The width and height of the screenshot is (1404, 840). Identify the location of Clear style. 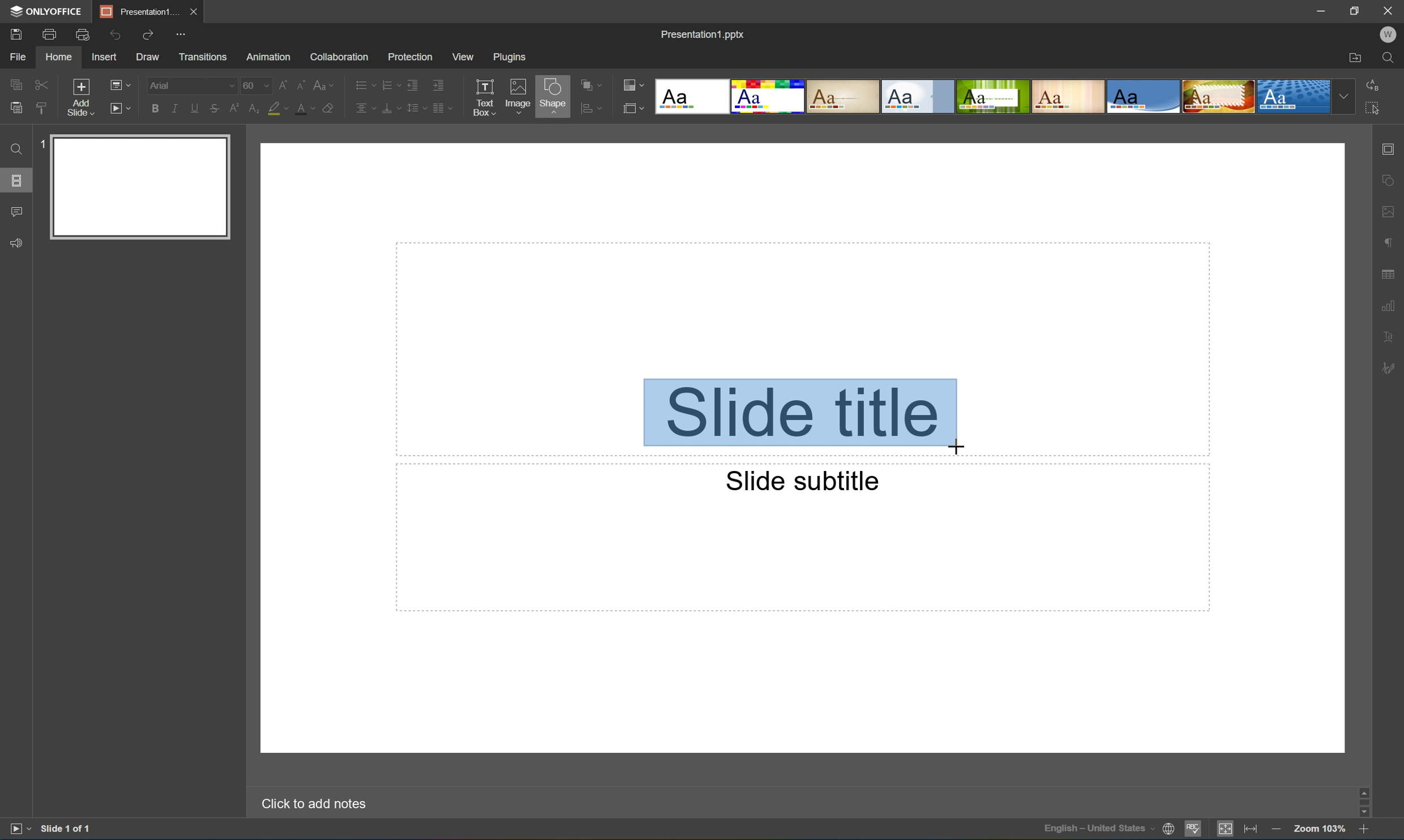
(335, 109).